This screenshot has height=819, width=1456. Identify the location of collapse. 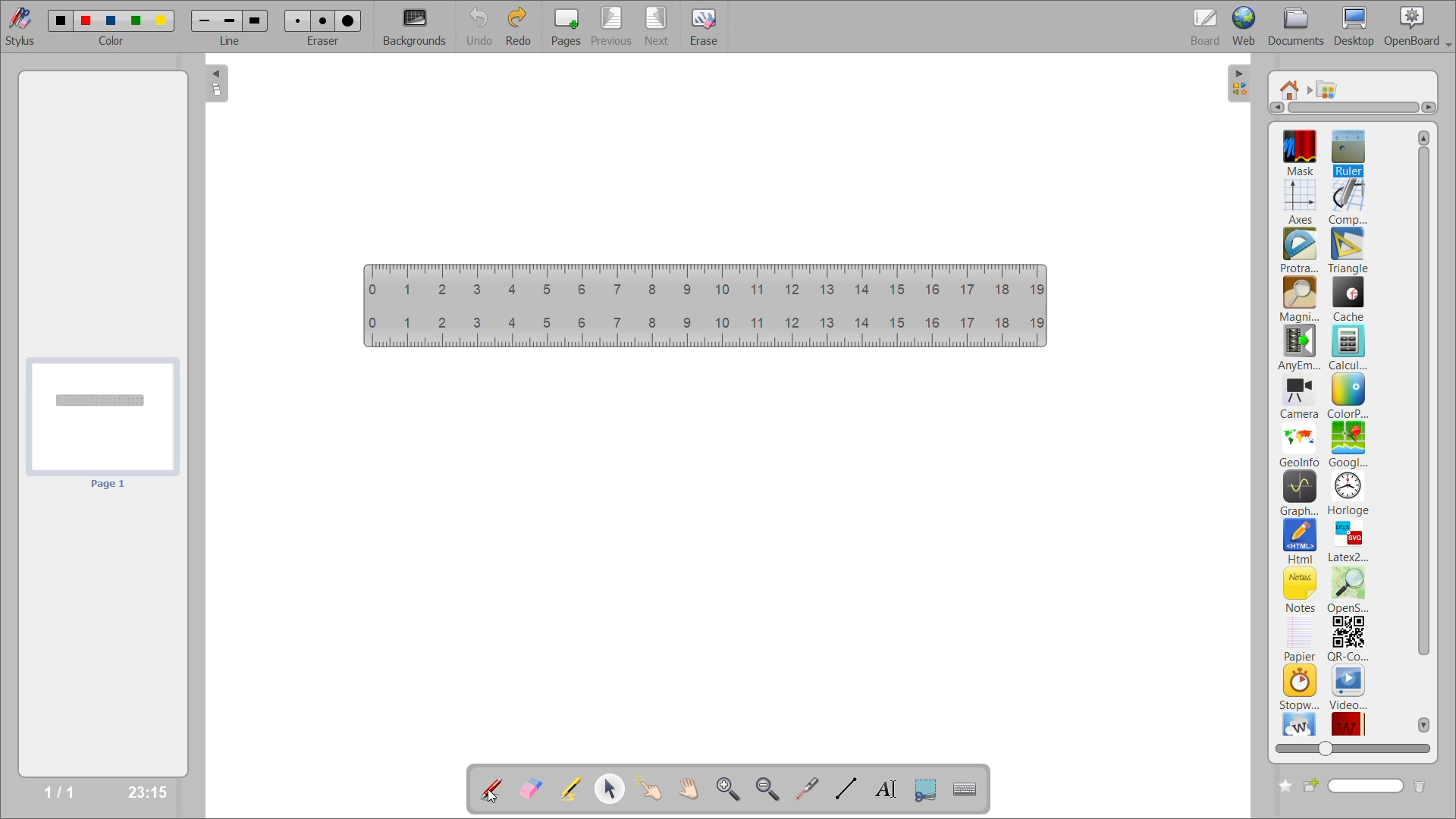
(218, 85).